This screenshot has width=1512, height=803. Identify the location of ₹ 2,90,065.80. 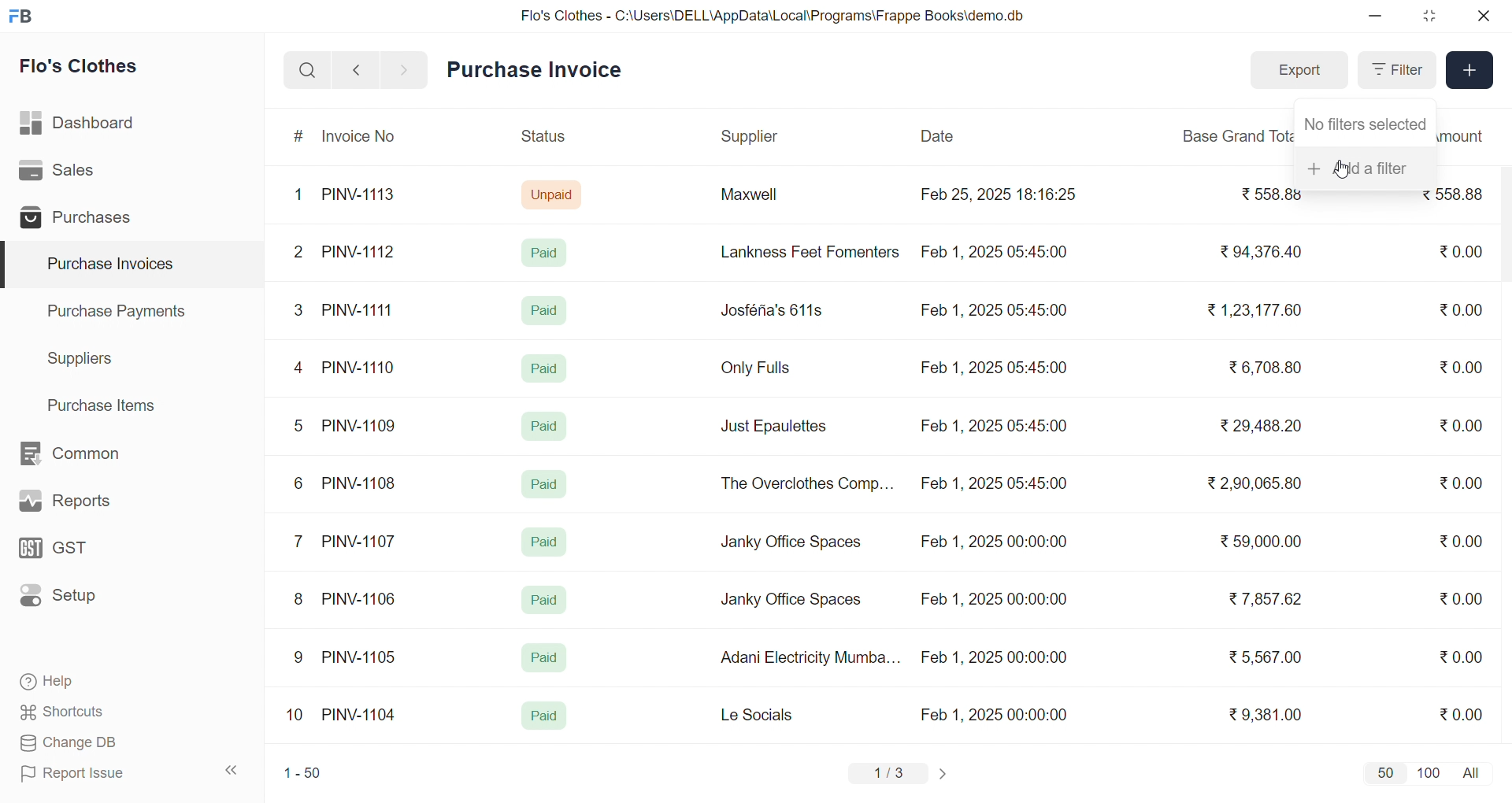
(1256, 484).